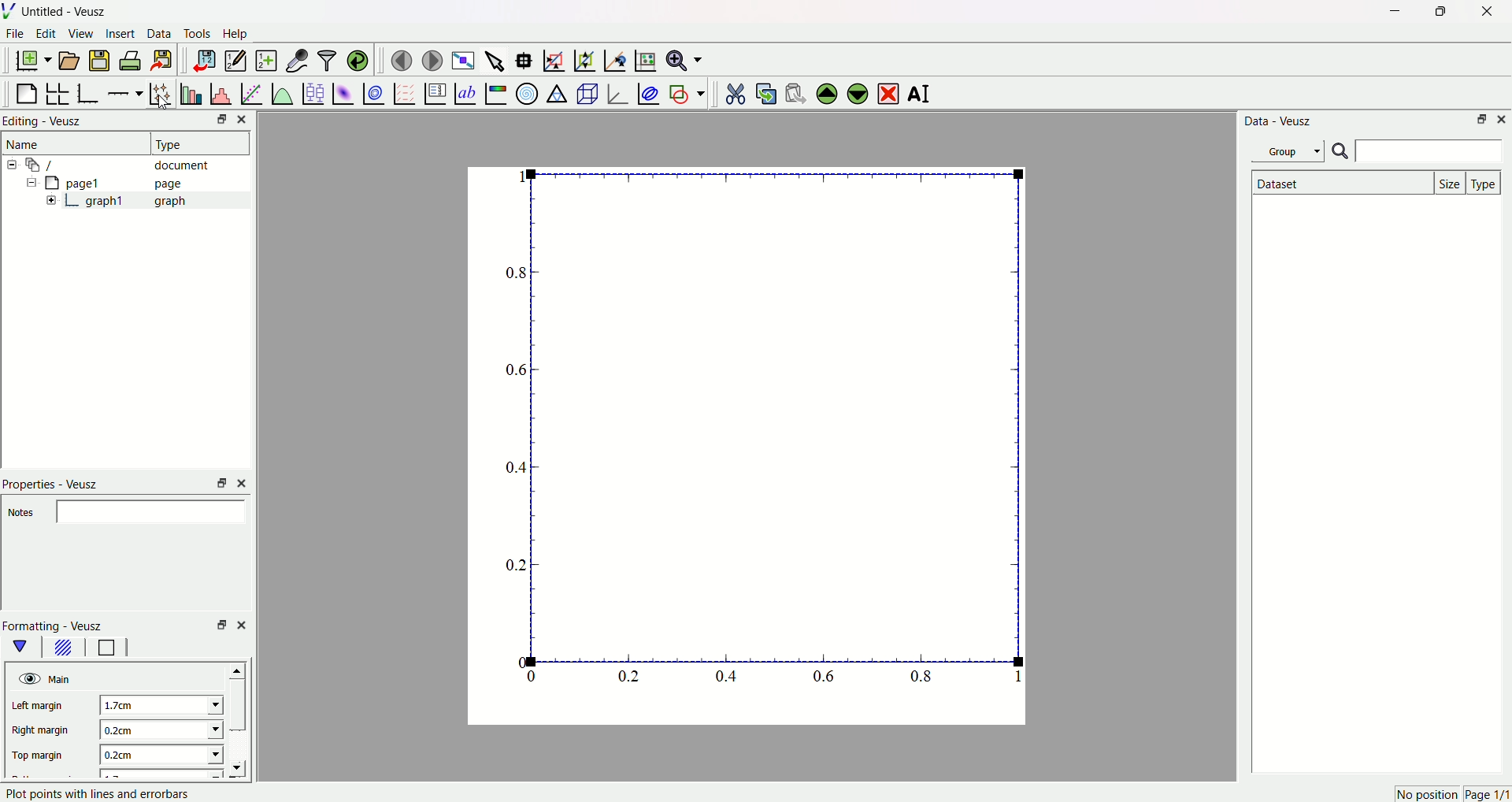 This screenshot has width=1512, height=802. What do you see at coordinates (220, 91) in the screenshot?
I see `histogram` at bounding box center [220, 91].